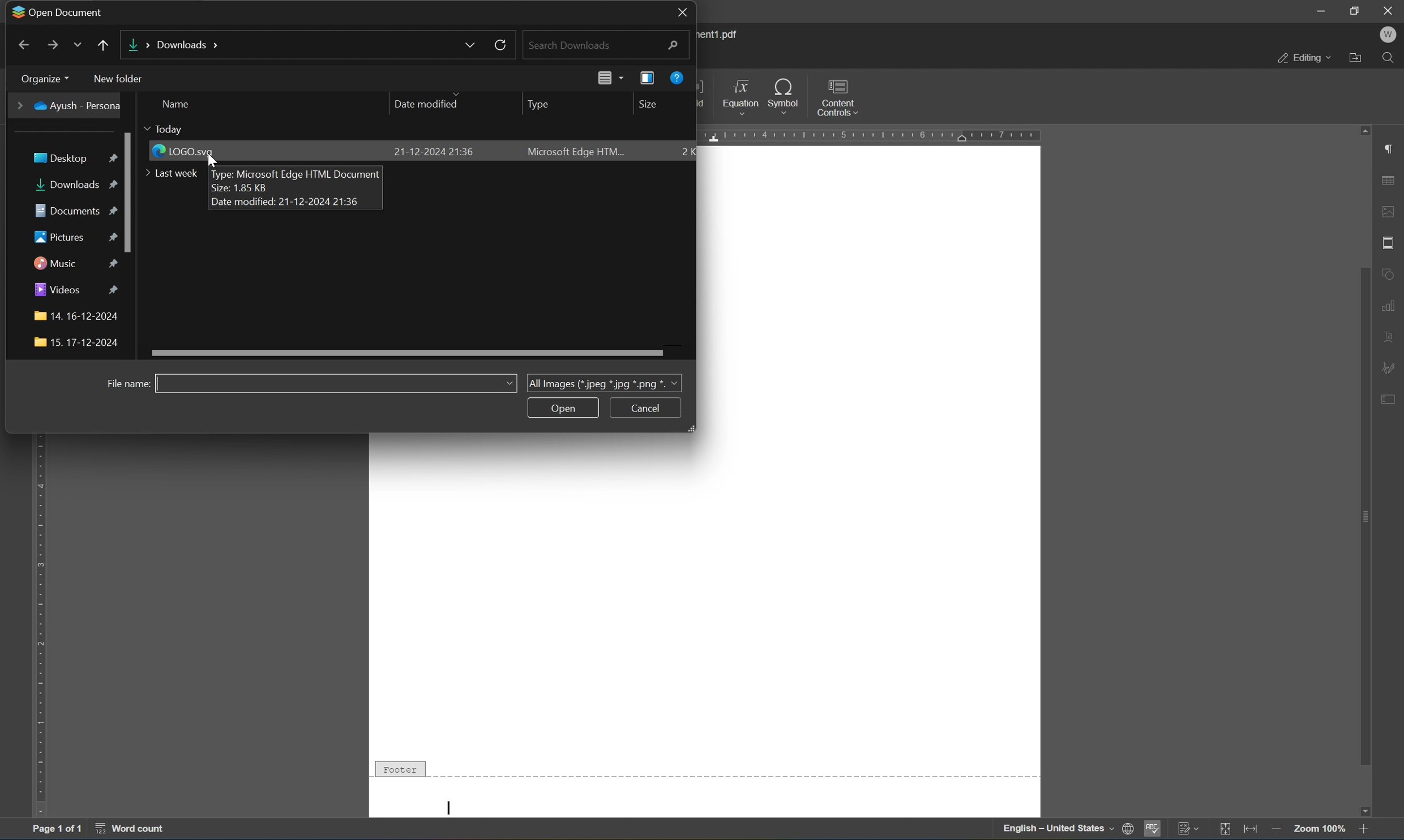 Image resolution: width=1404 pixels, height=840 pixels. What do you see at coordinates (136, 829) in the screenshot?
I see `word count` at bounding box center [136, 829].